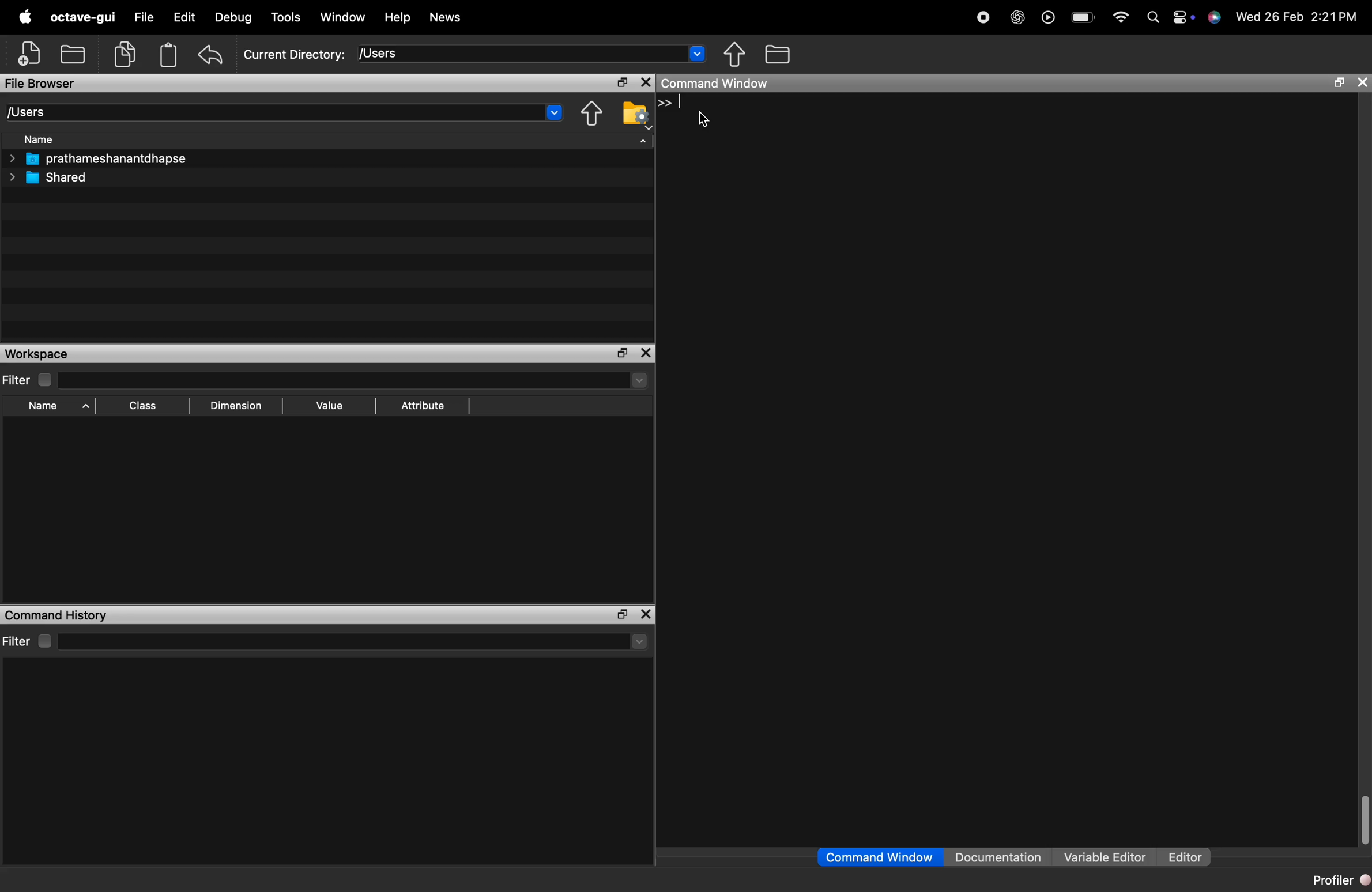 The width and height of the screenshot is (1372, 892). Describe the element at coordinates (615, 80) in the screenshot. I see `maximise` at that location.